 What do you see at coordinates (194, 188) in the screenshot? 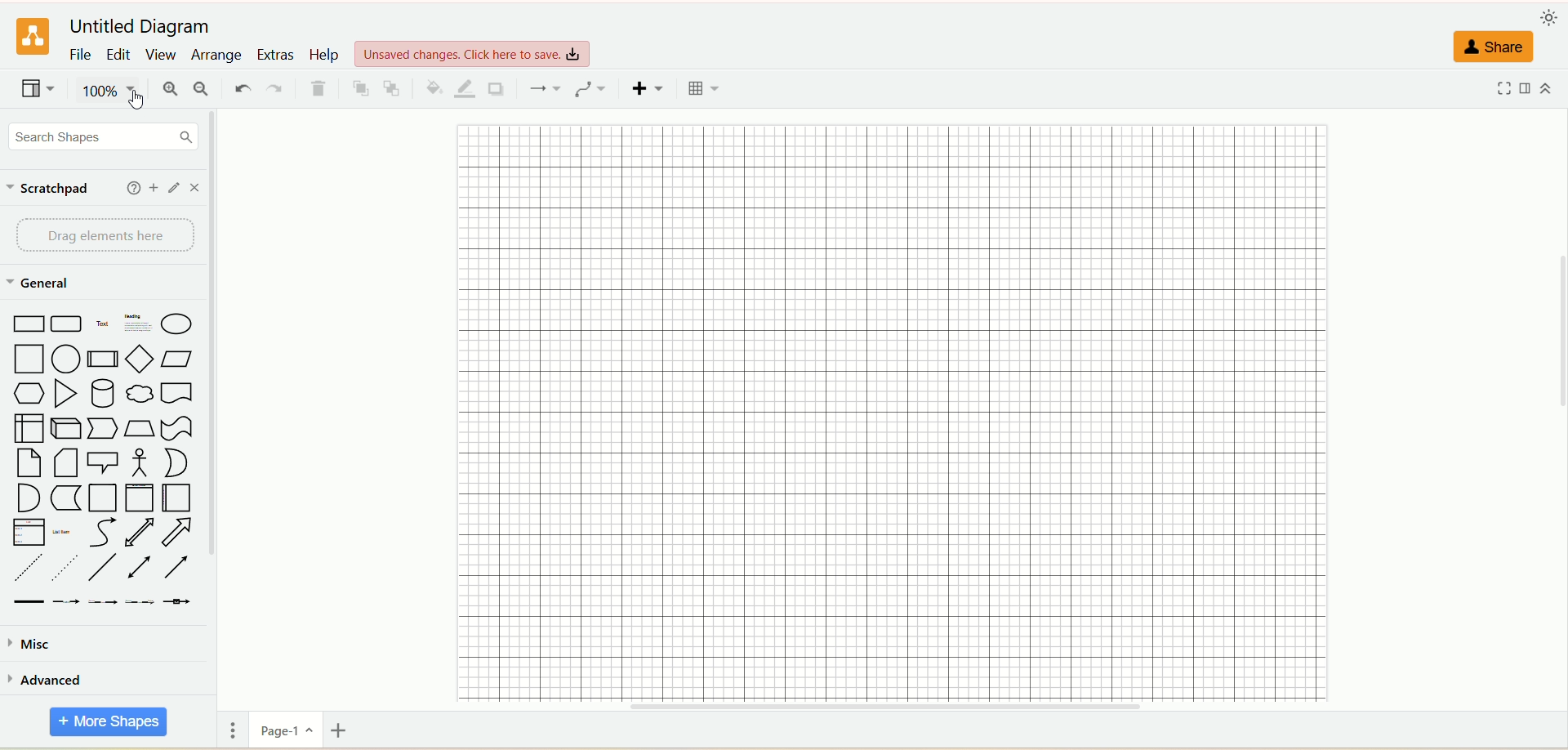
I see `close` at bounding box center [194, 188].